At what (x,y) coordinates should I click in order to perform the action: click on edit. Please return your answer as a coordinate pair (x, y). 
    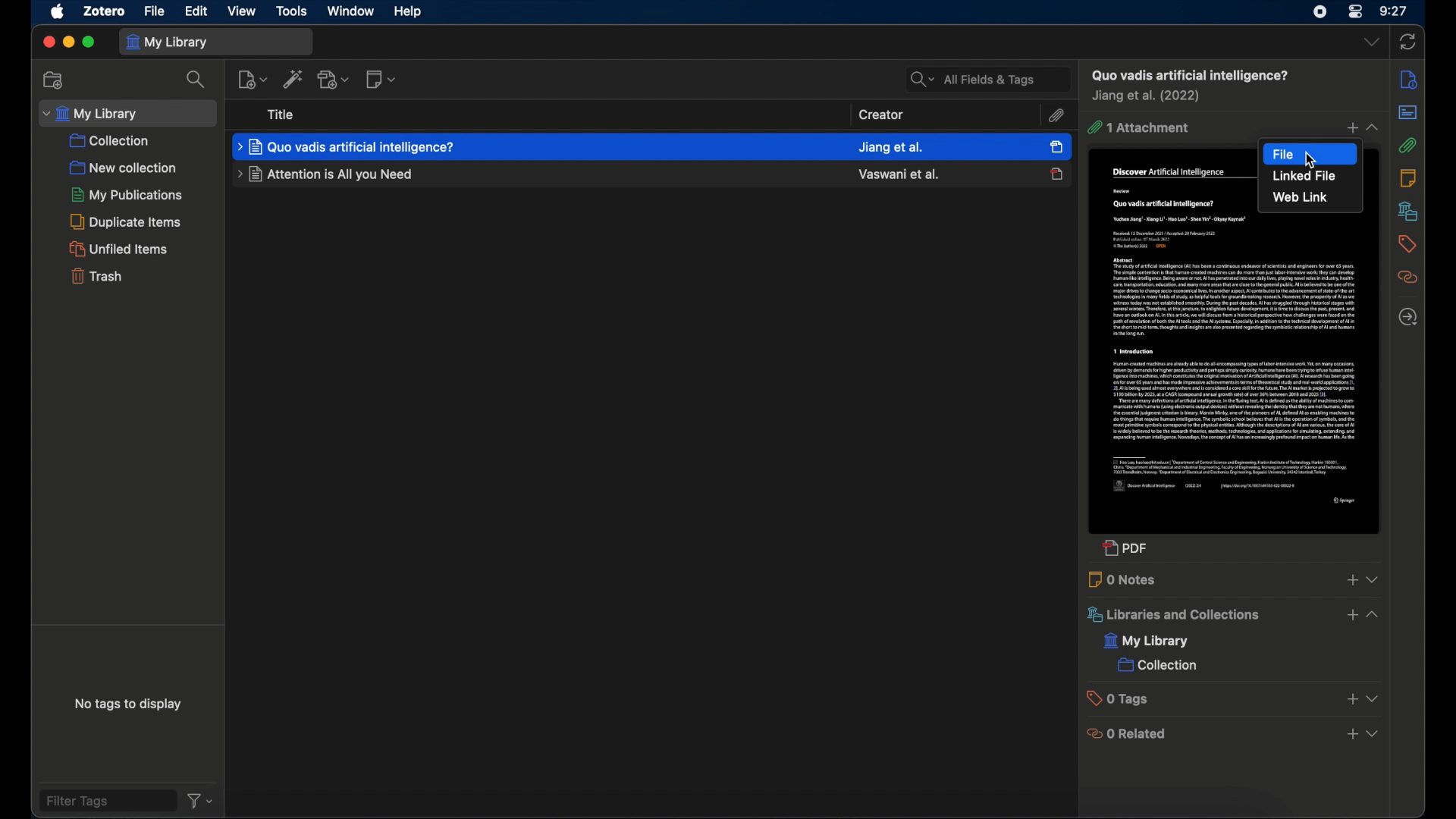
    Looking at the image, I should click on (196, 11).